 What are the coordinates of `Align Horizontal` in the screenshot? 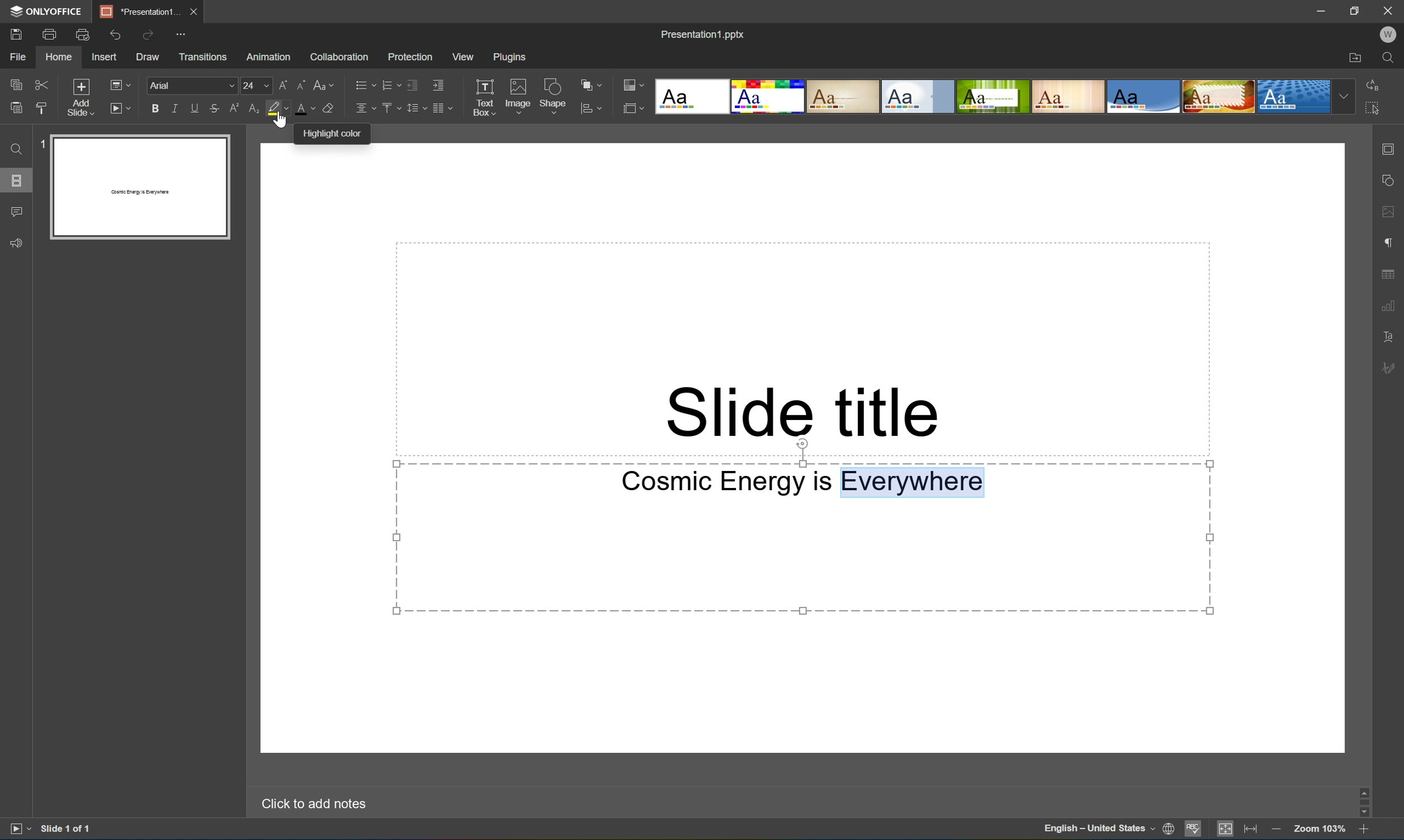 It's located at (364, 108).